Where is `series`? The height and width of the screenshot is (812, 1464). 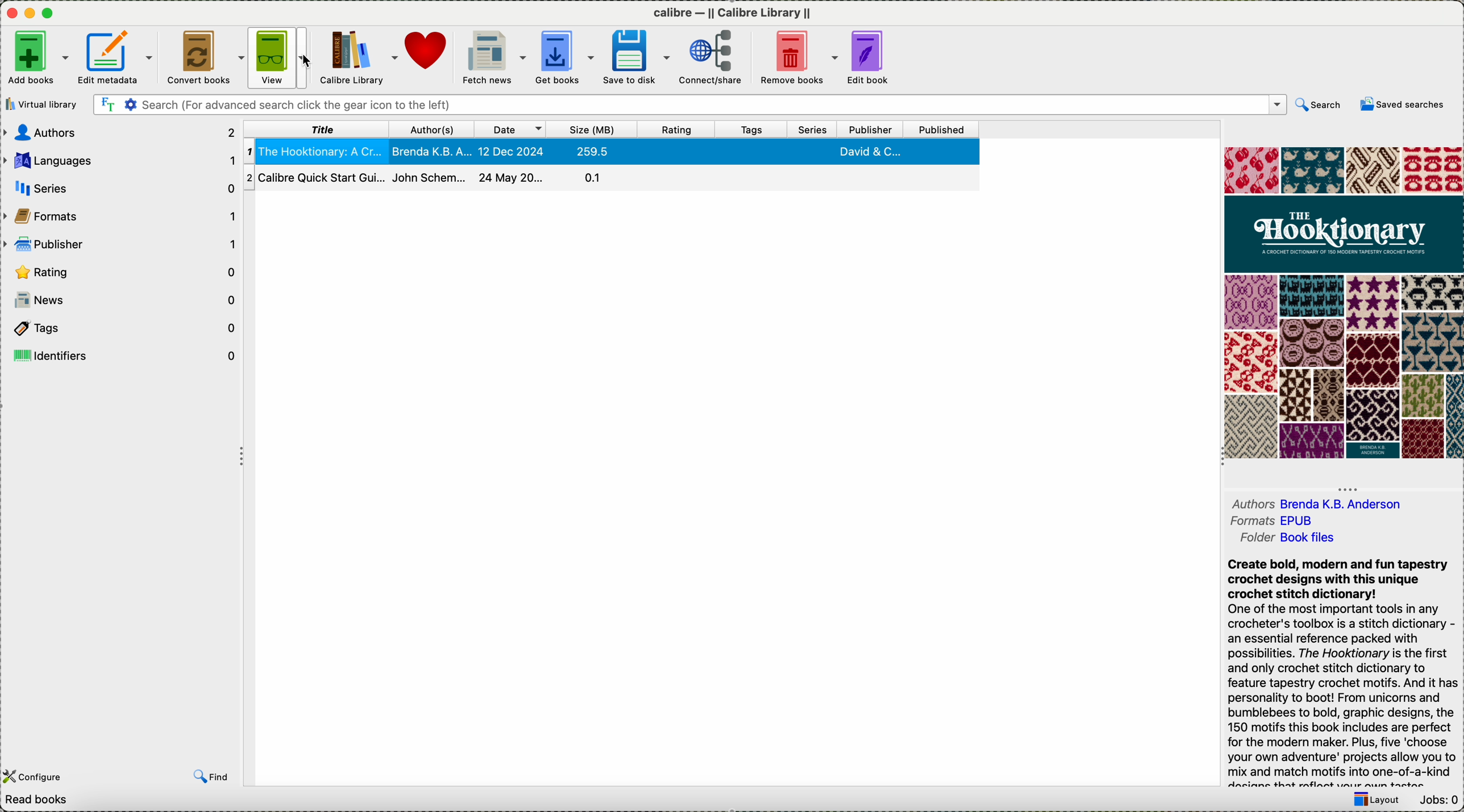
series is located at coordinates (120, 186).